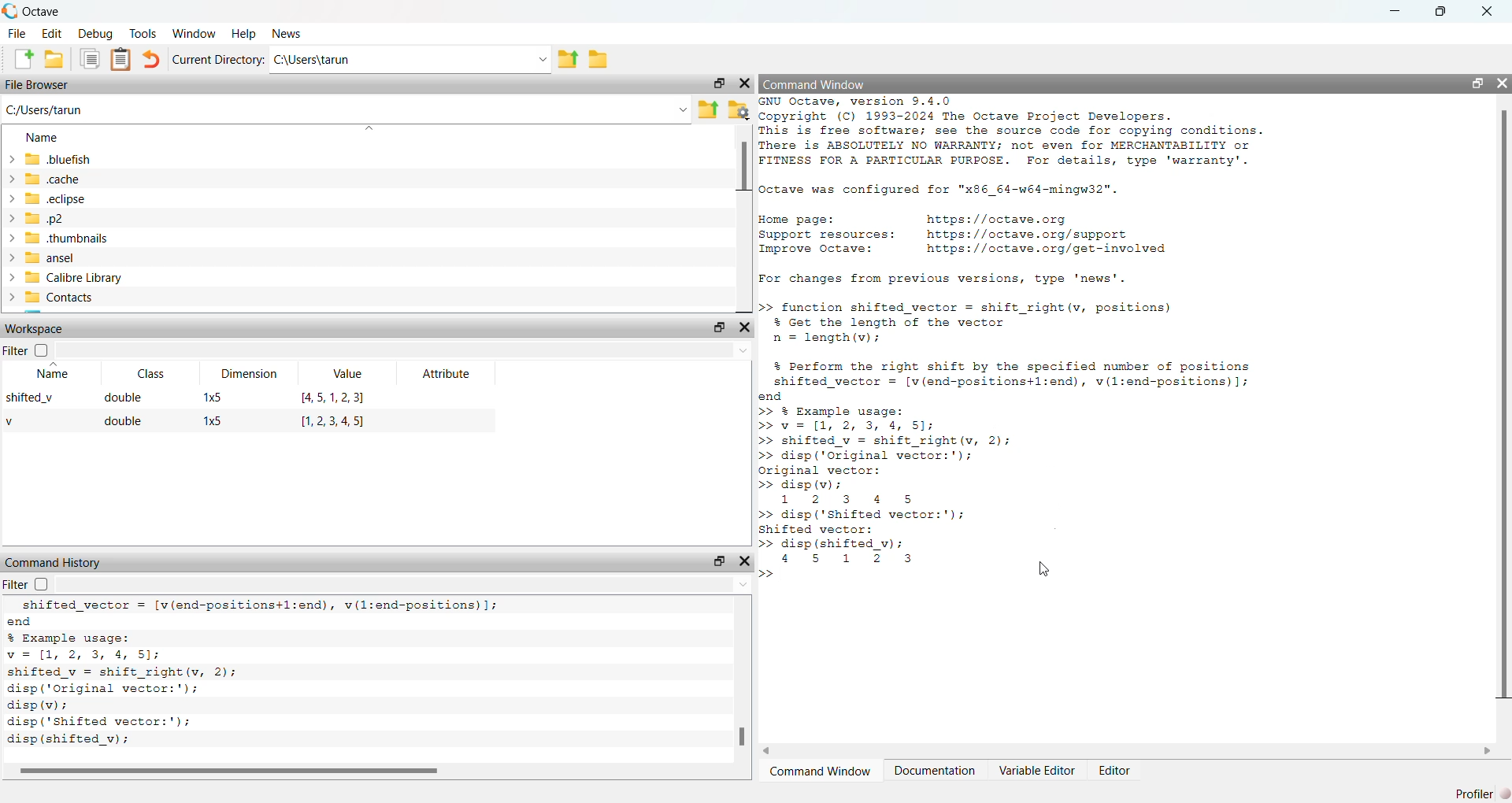  I want to click on value, so click(345, 373).